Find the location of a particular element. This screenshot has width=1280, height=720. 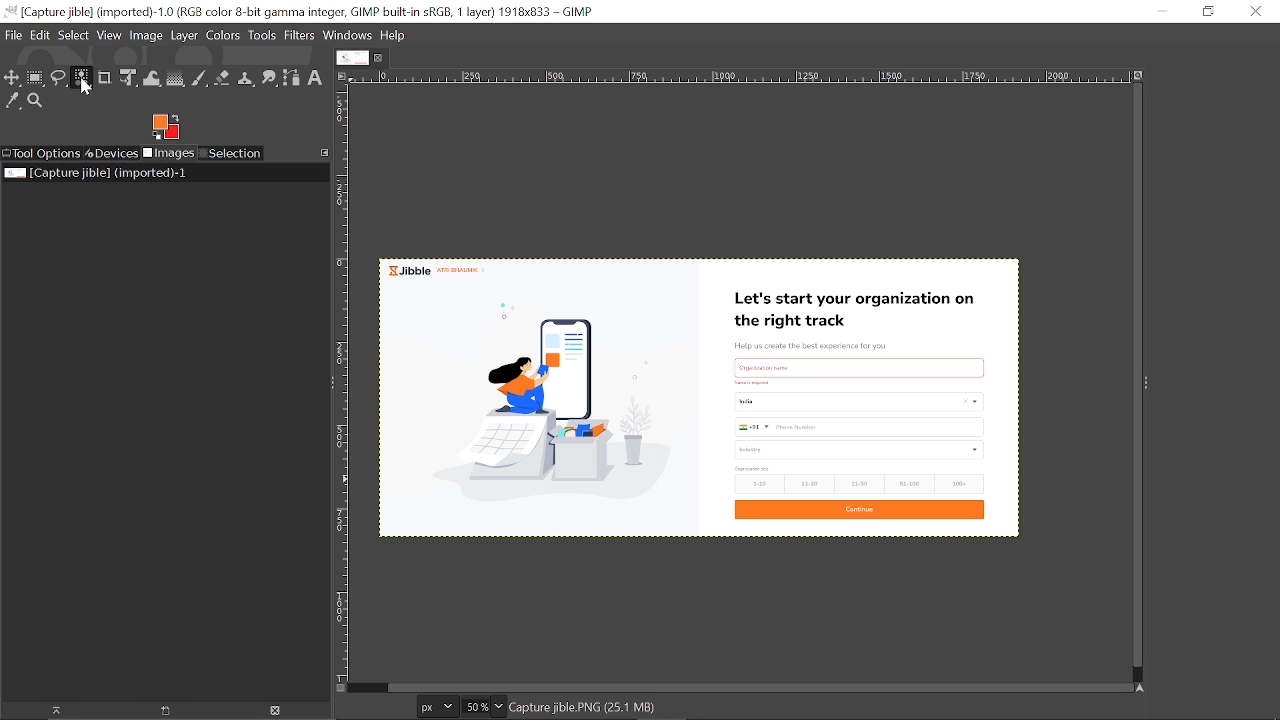

Windows is located at coordinates (349, 36).